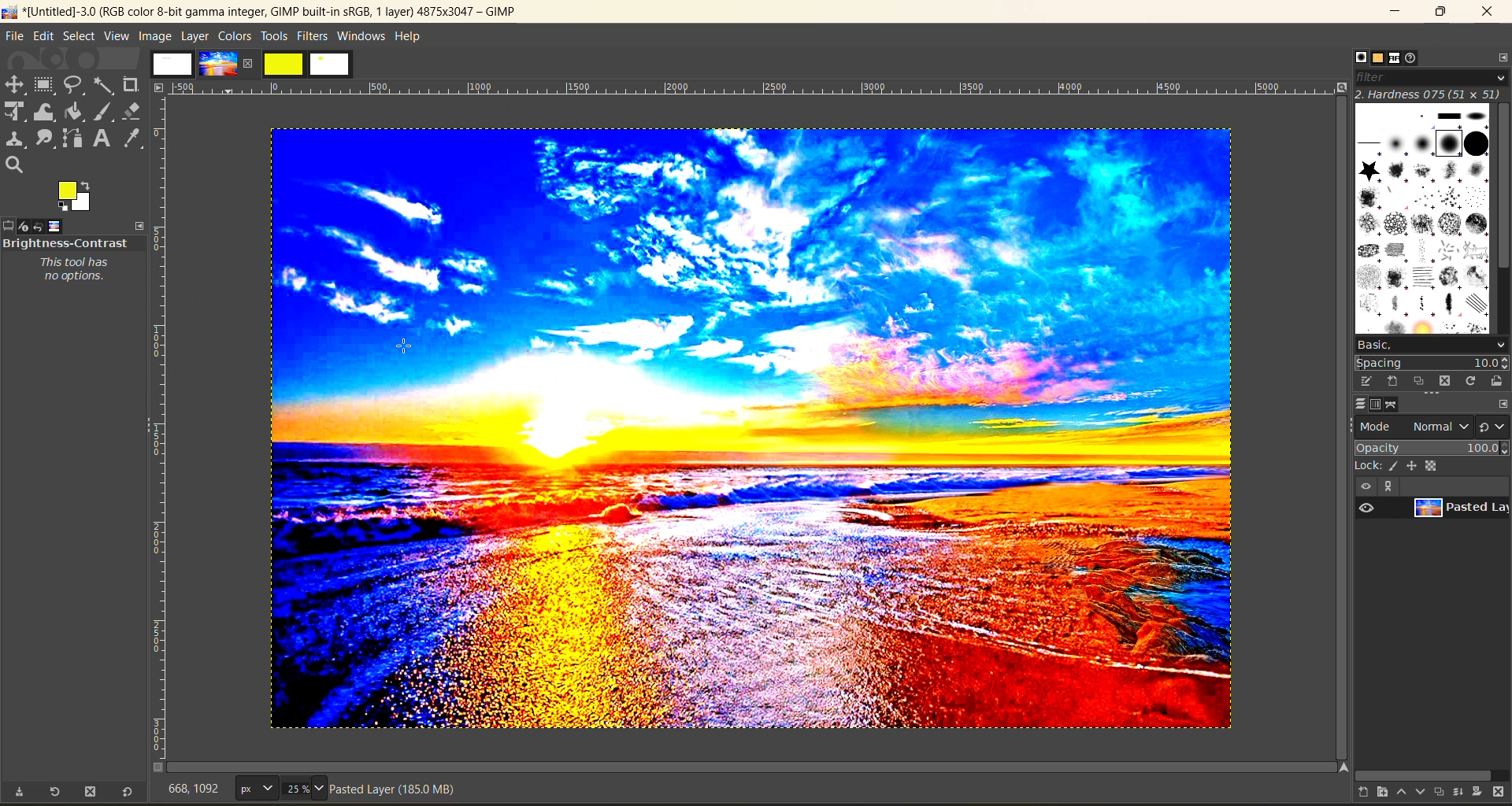 The width and height of the screenshot is (1512, 806). Describe the element at coordinates (128, 791) in the screenshot. I see `reset to default` at that location.